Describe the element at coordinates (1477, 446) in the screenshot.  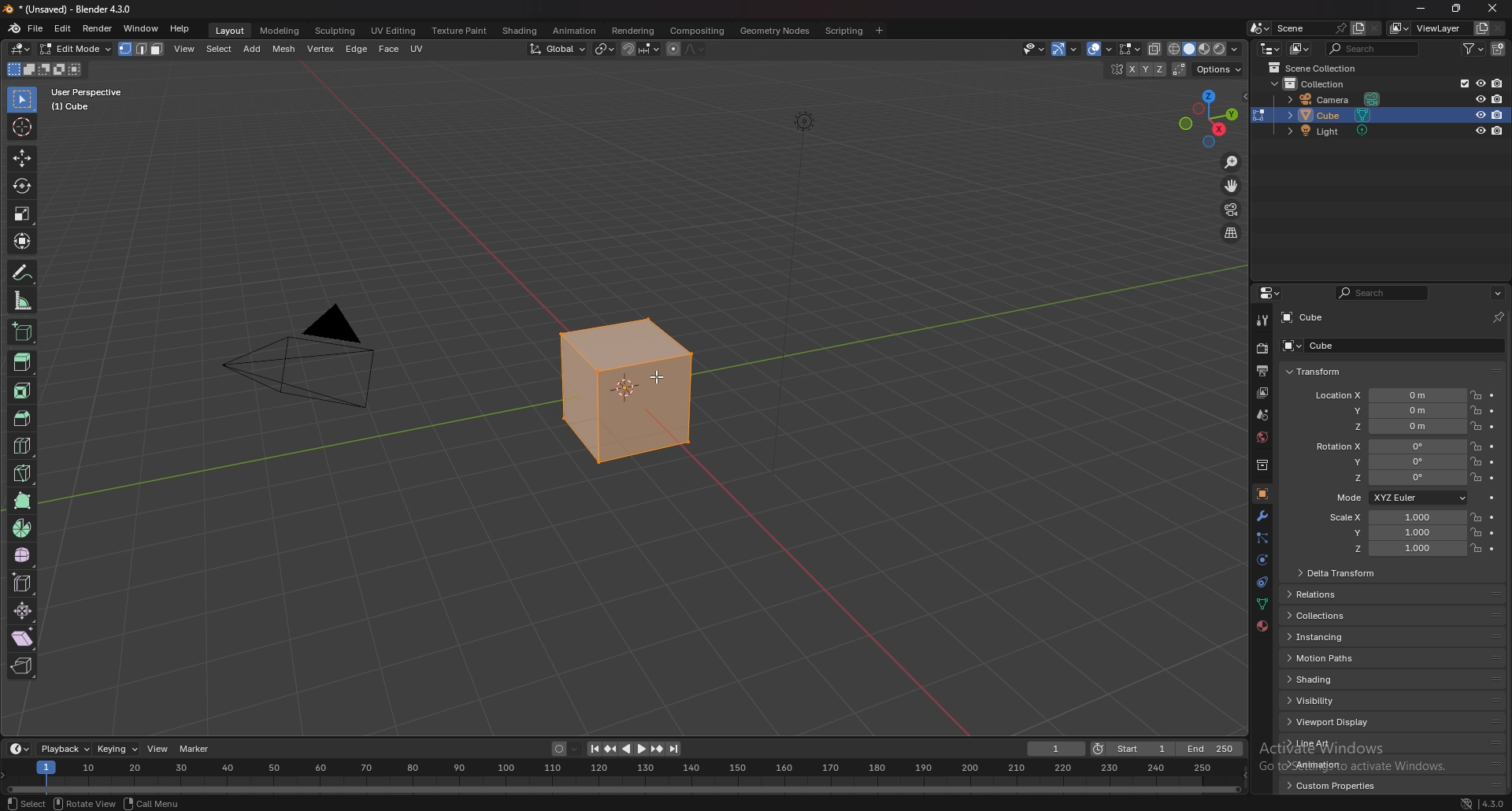
I see `lock location` at that location.